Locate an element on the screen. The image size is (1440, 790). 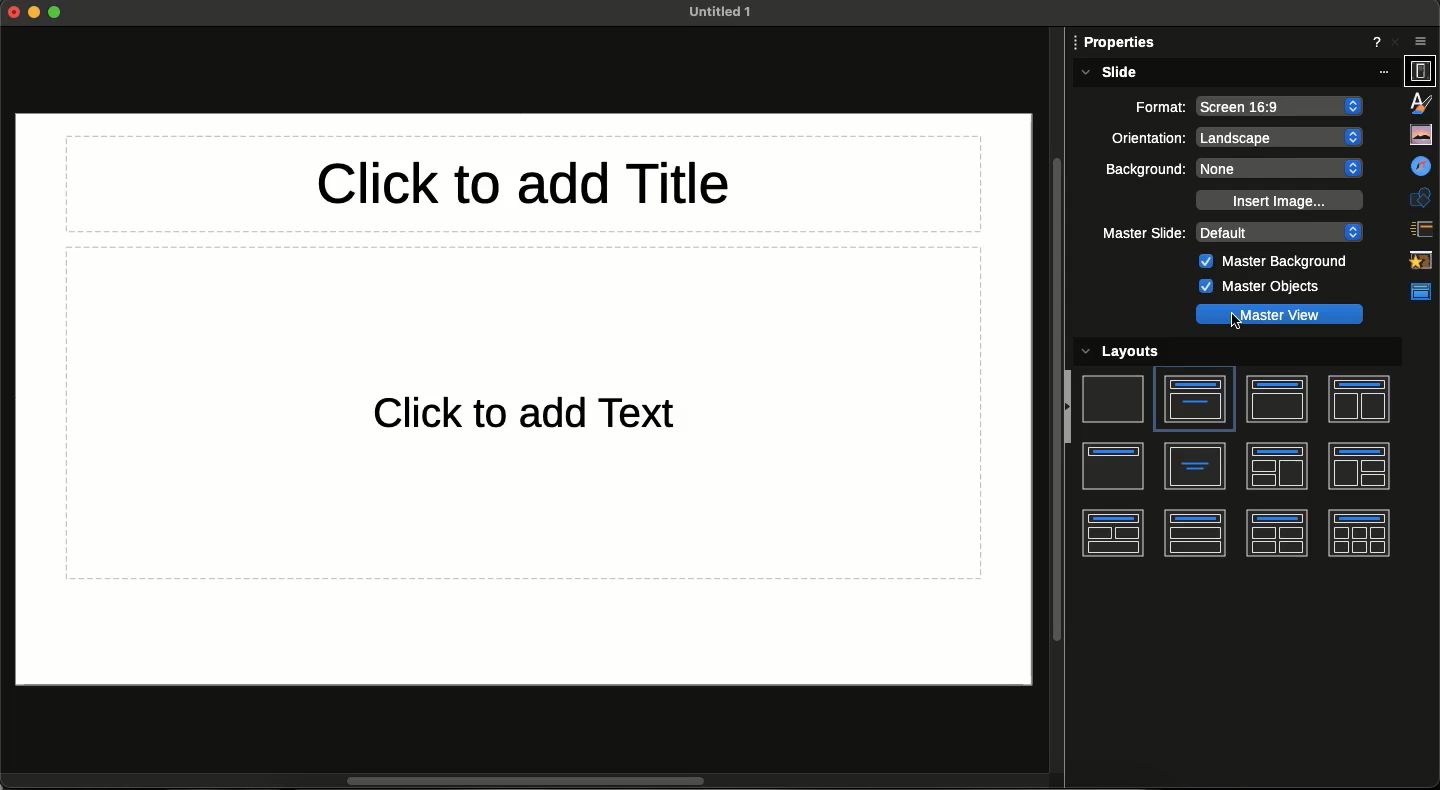
Title and two boxes is located at coordinates (1195, 533).